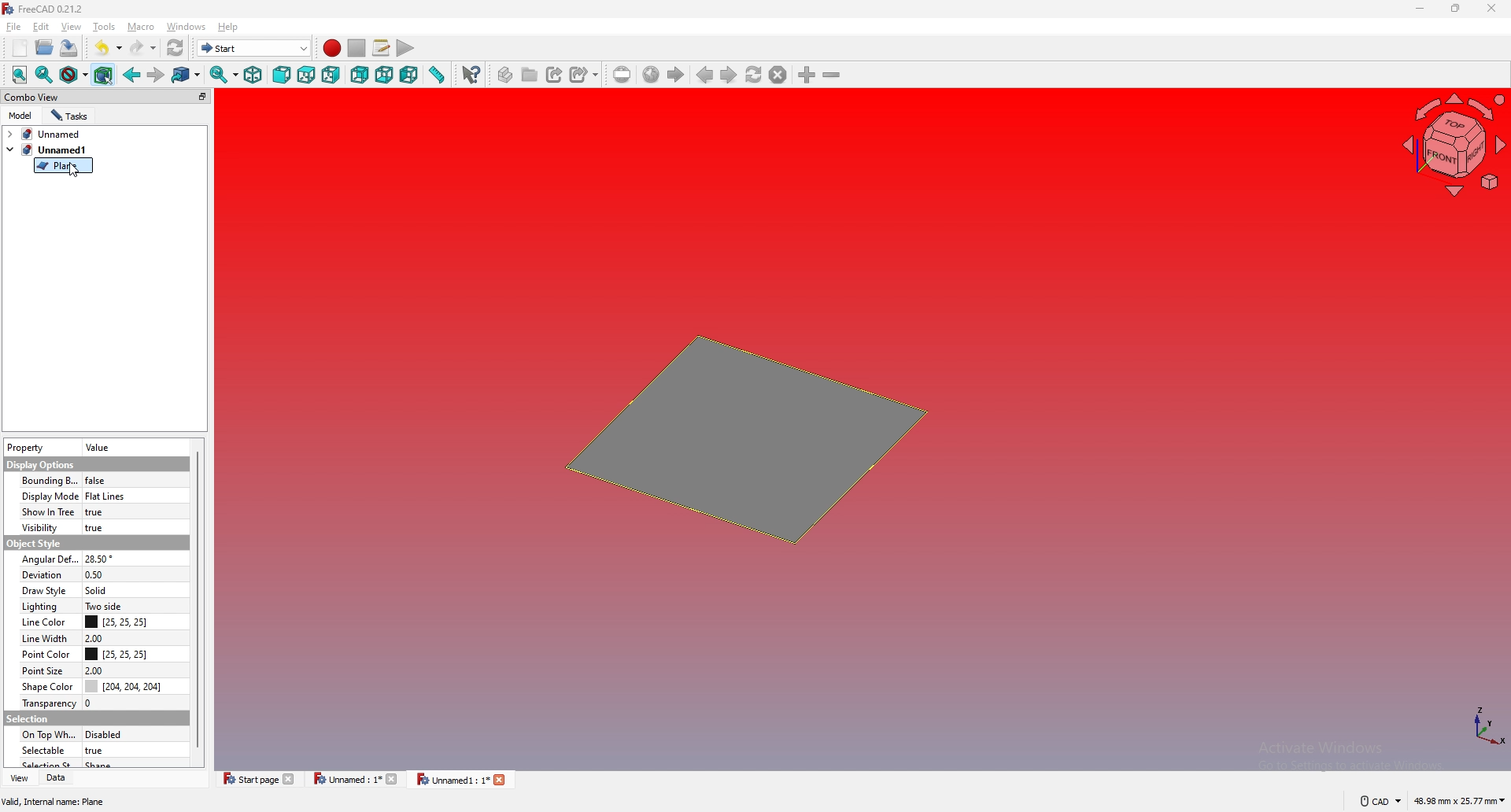 Image resolution: width=1511 pixels, height=812 pixels. I want to click on shape, so click(111, 766).